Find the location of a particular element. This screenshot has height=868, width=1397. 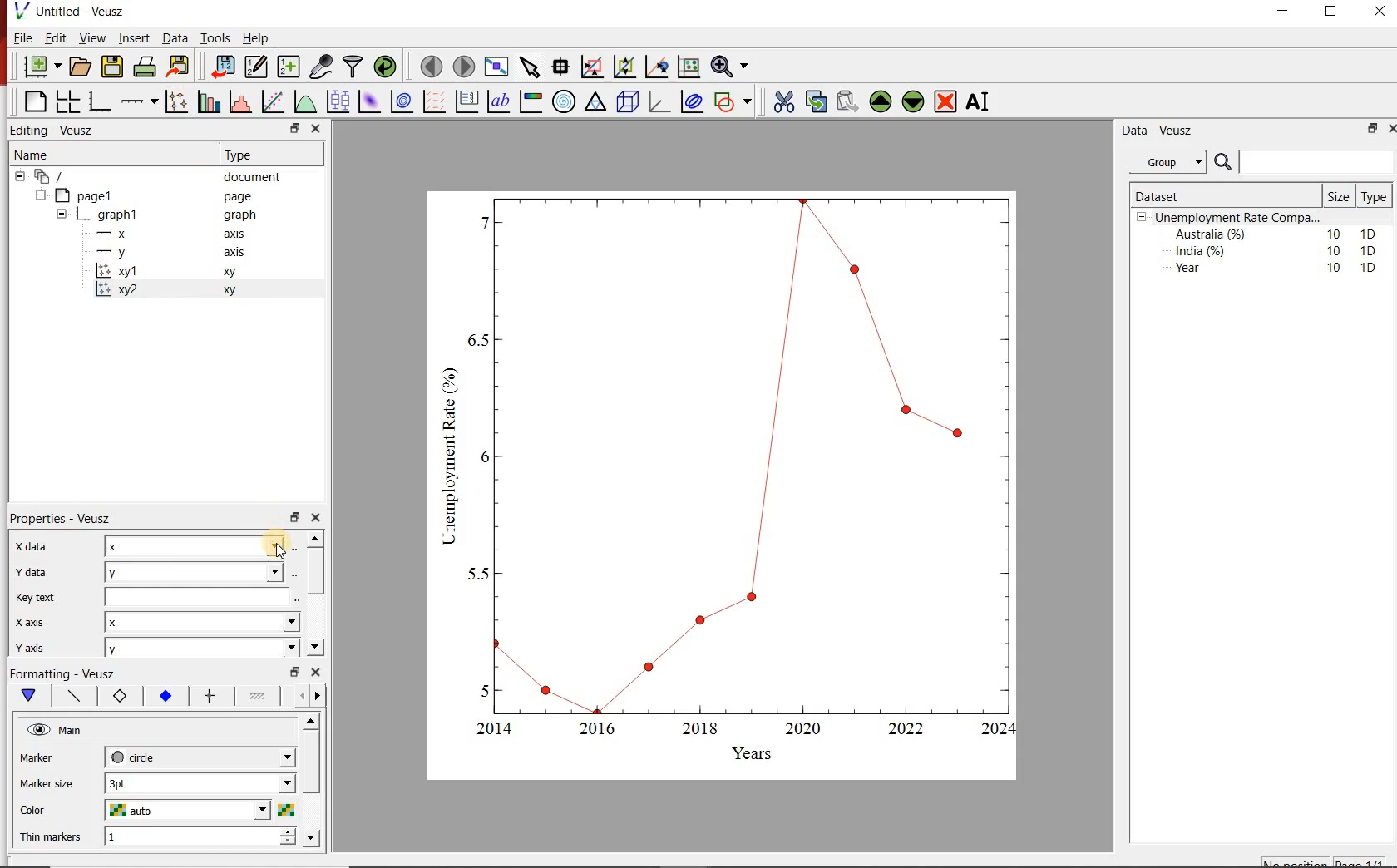

zoom funtions is located at coordinates (733, 65).